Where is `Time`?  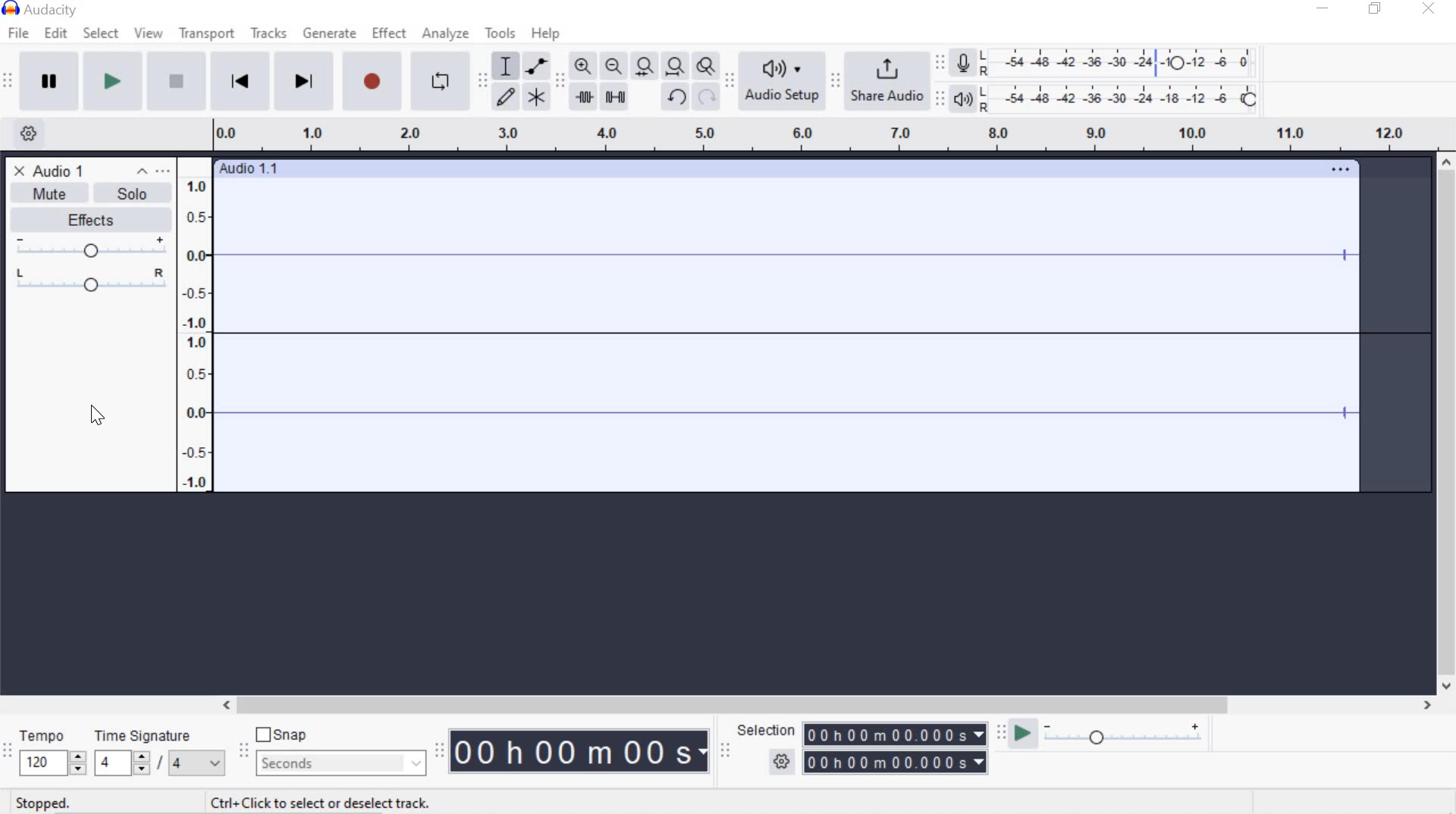 Time is located at coordinates (581, 753).